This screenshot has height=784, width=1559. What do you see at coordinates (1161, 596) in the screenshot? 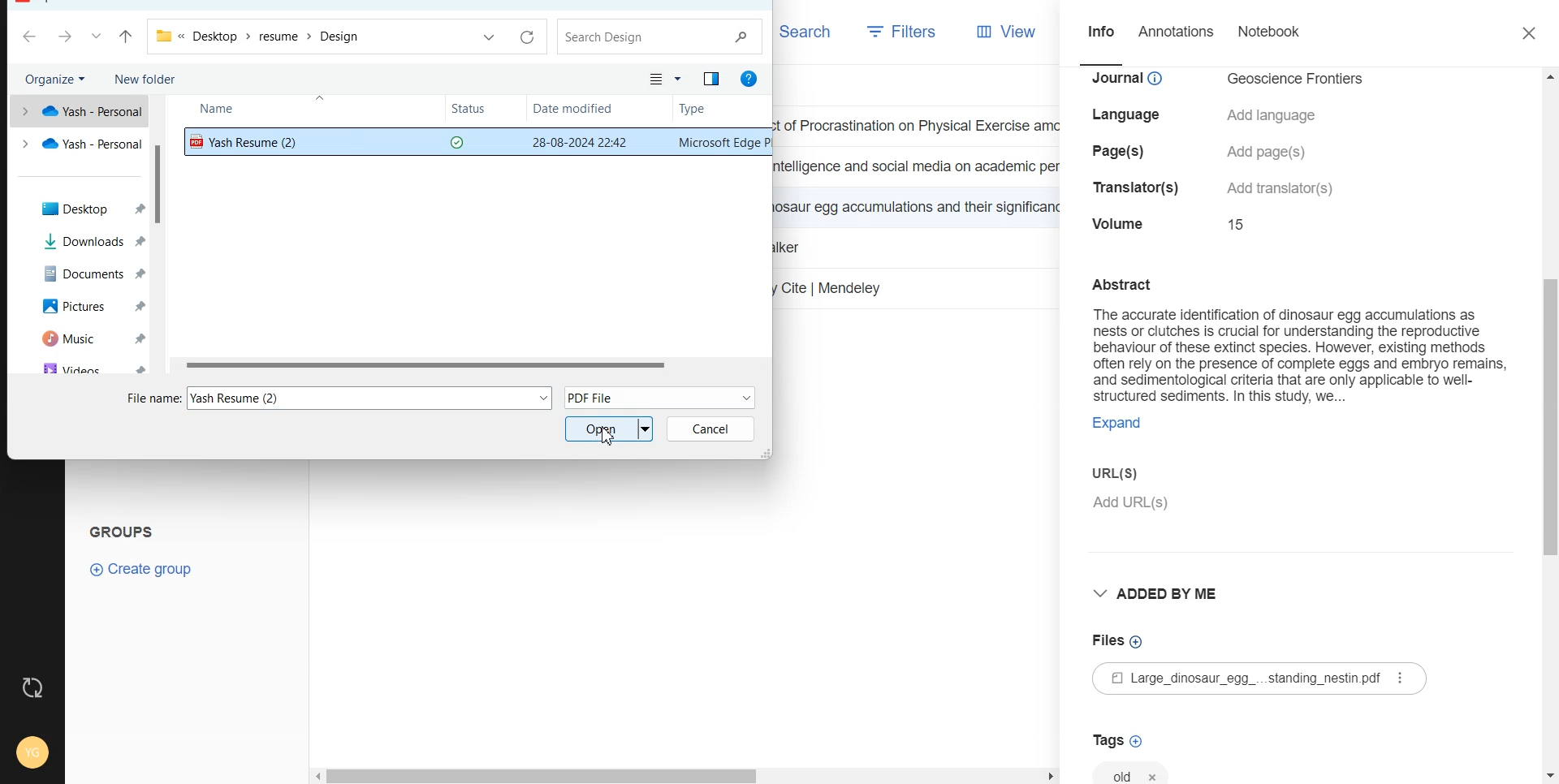
I see `Added by me` at bounding box center [1161, 596].